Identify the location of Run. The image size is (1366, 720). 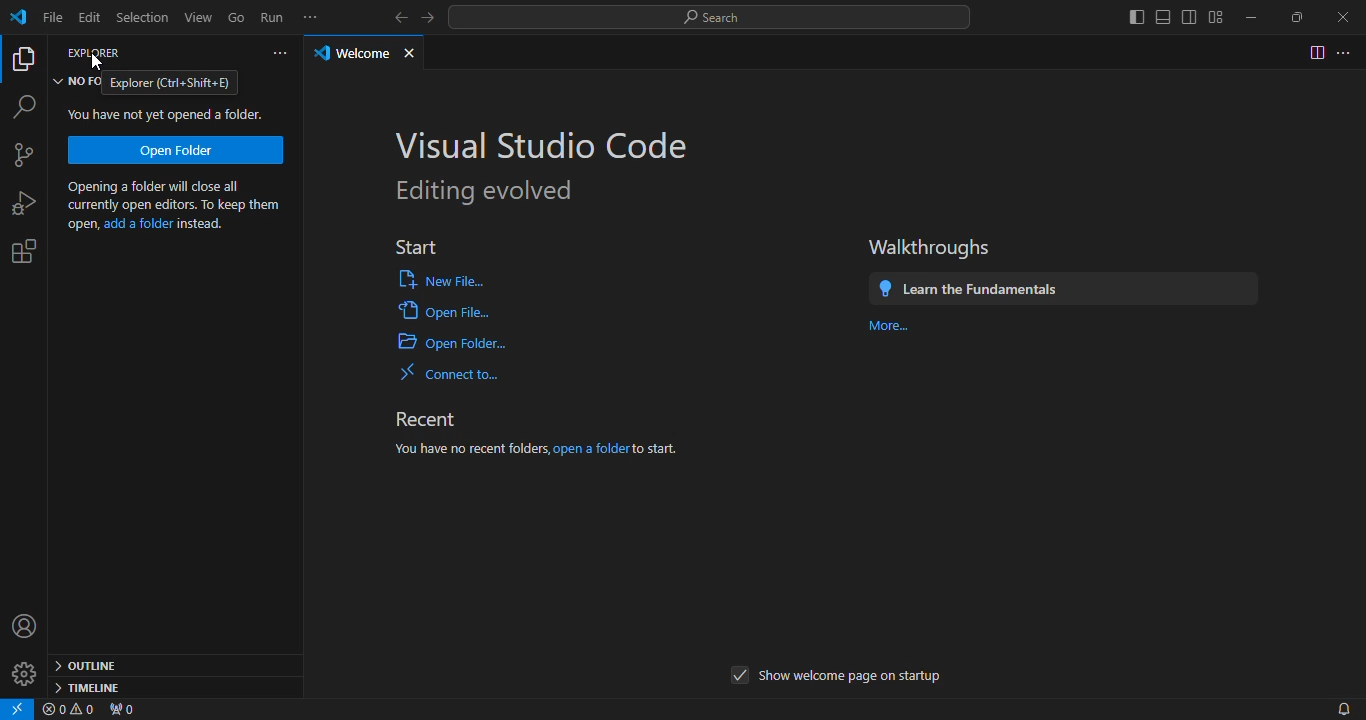
(271, 16).